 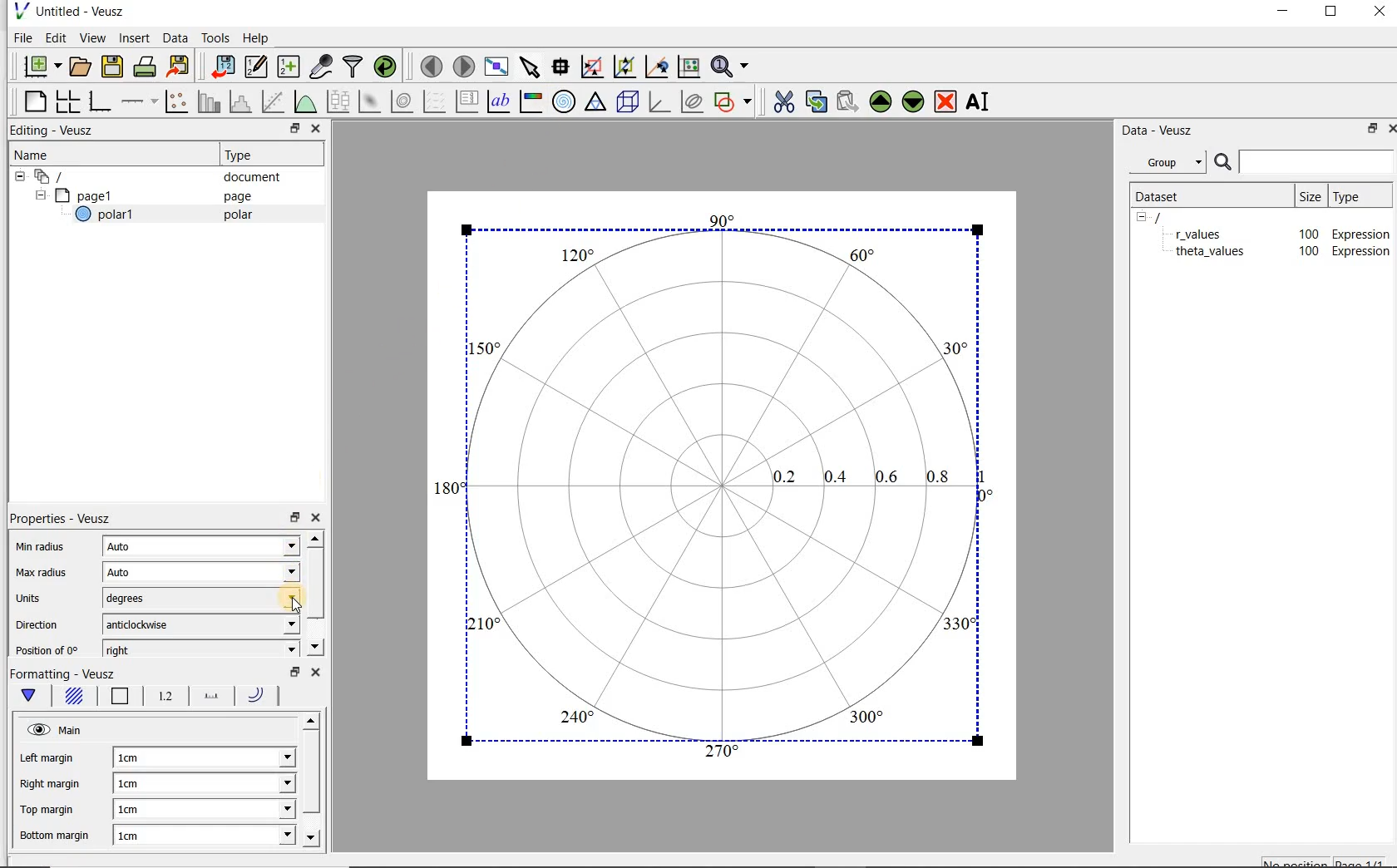 I want to click on Document widget, so click(x=78, y=176).